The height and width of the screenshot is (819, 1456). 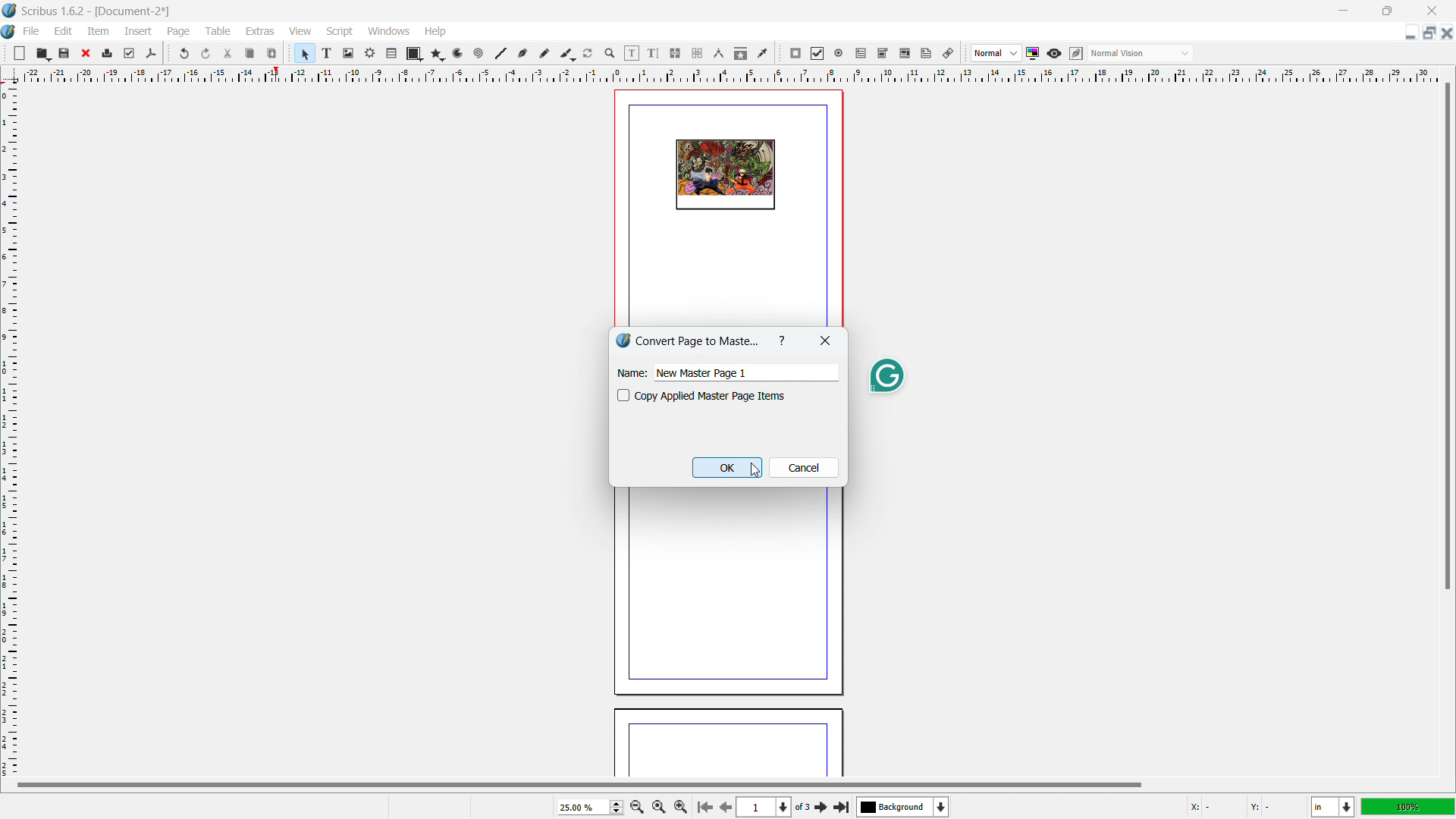 What do you see at coordinates (676, 54) in the screenshot?
I see `link text frames` at bounding box center [676, 54].